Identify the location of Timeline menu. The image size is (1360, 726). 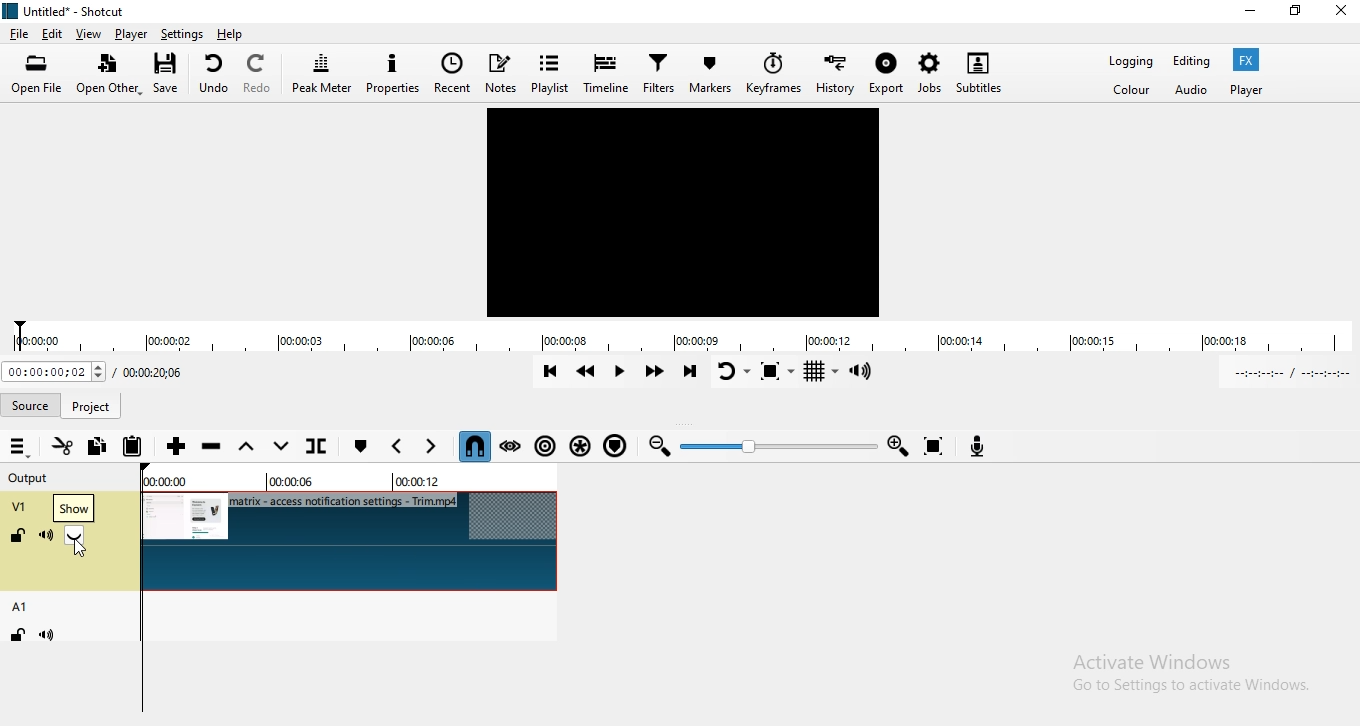
(20, 450).